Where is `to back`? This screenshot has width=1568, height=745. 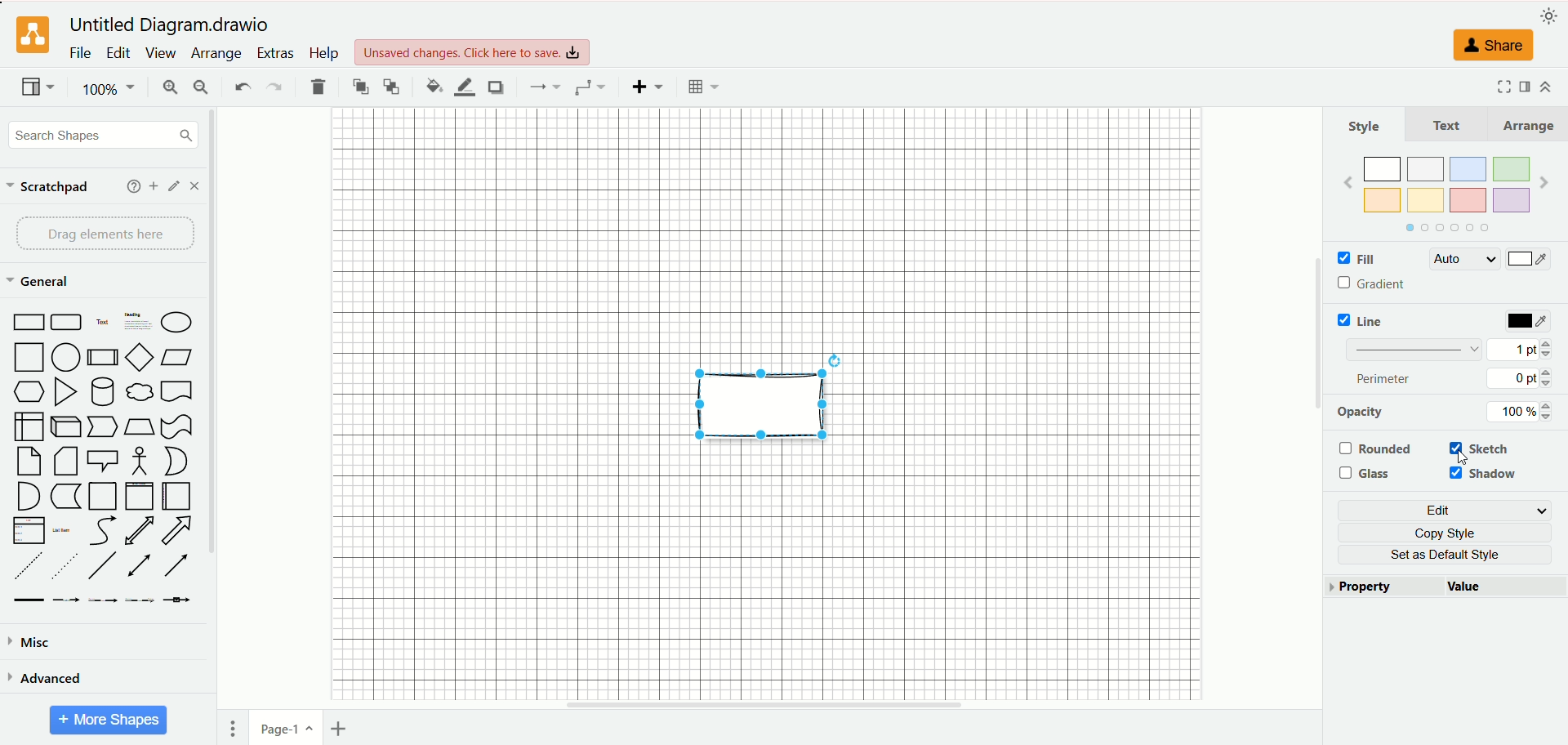 to back is located at coordinates (391, 86).